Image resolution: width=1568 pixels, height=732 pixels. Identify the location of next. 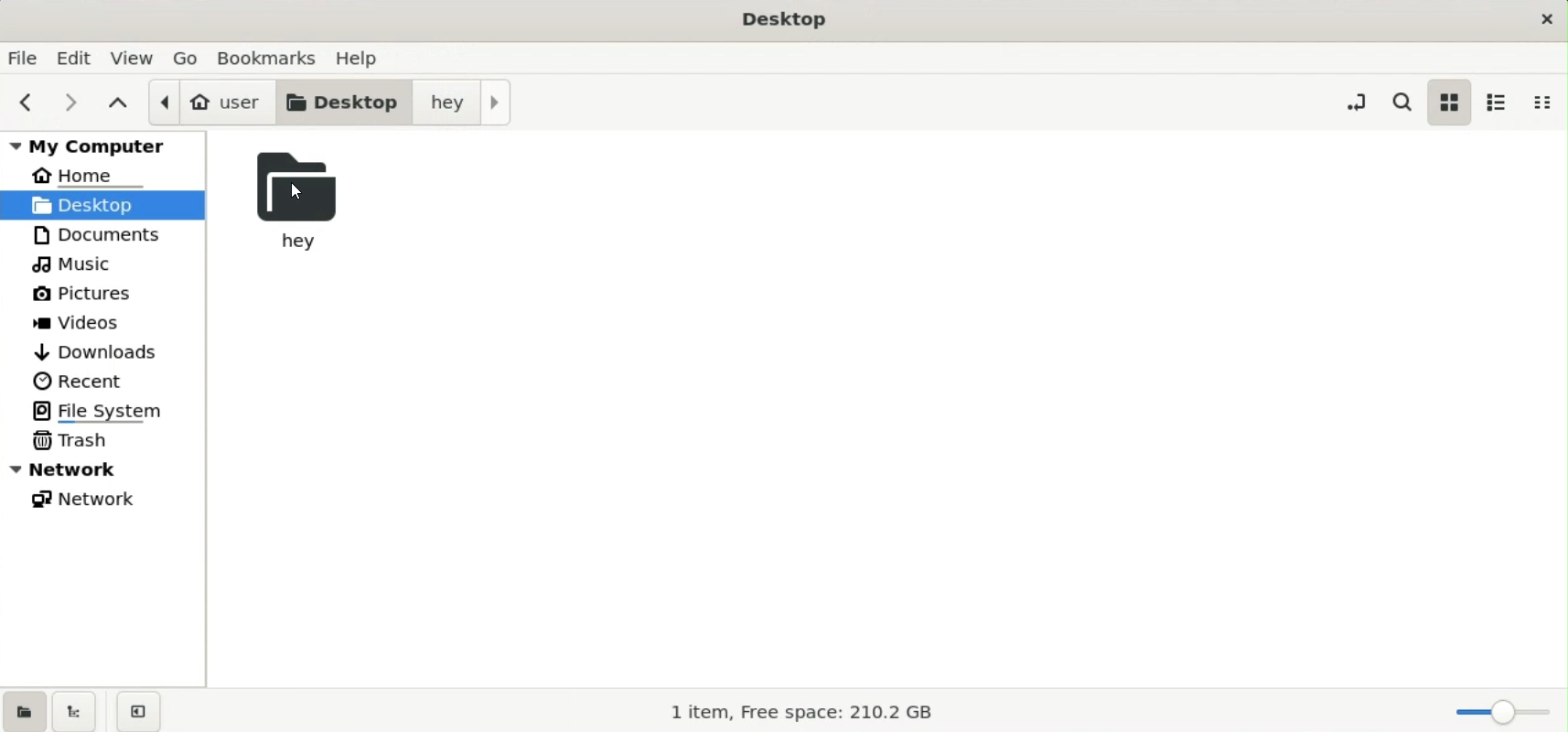
(65, 102).